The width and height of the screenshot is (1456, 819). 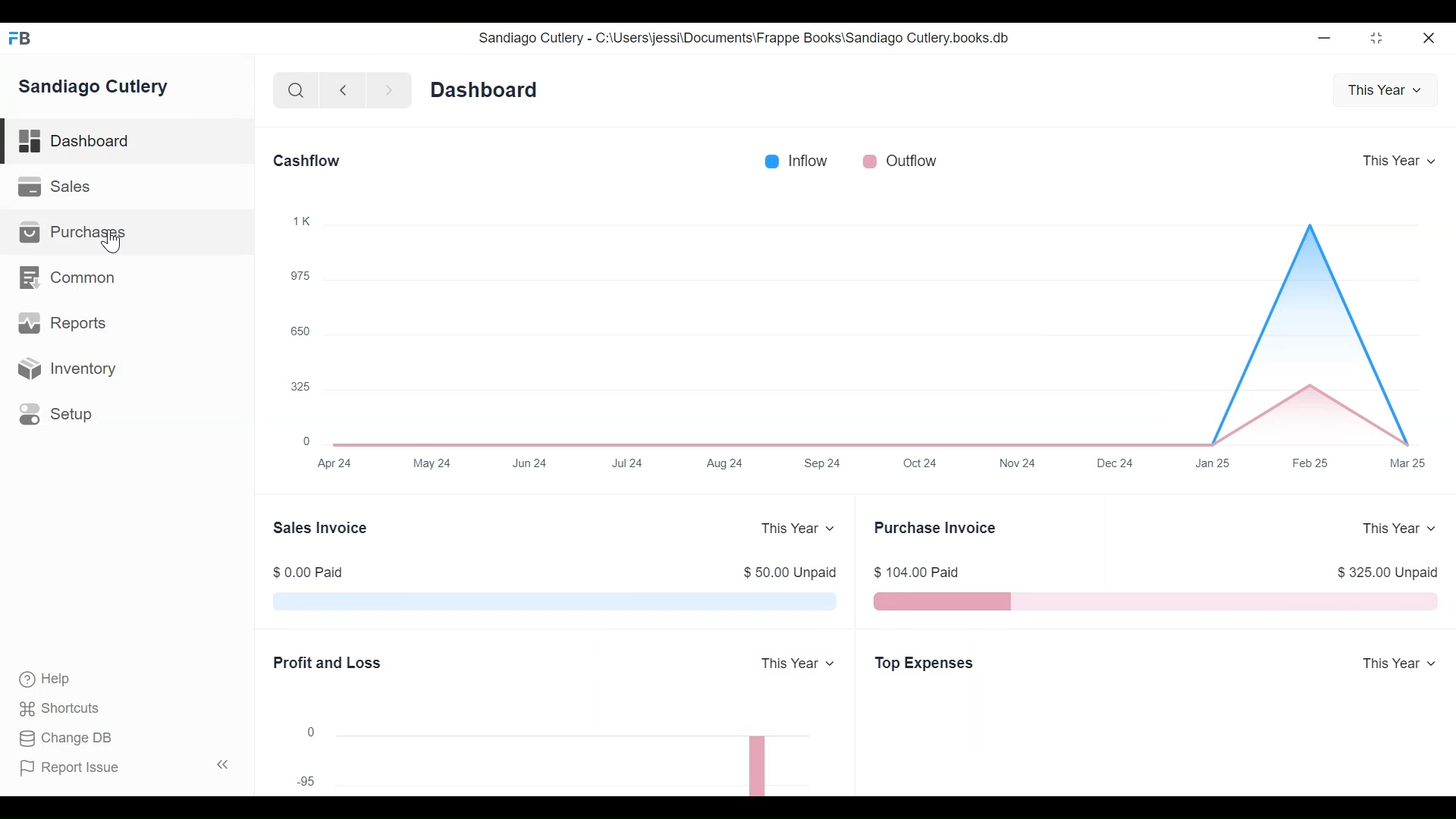 I want to click on Inflow, so click(x=792, y=161).